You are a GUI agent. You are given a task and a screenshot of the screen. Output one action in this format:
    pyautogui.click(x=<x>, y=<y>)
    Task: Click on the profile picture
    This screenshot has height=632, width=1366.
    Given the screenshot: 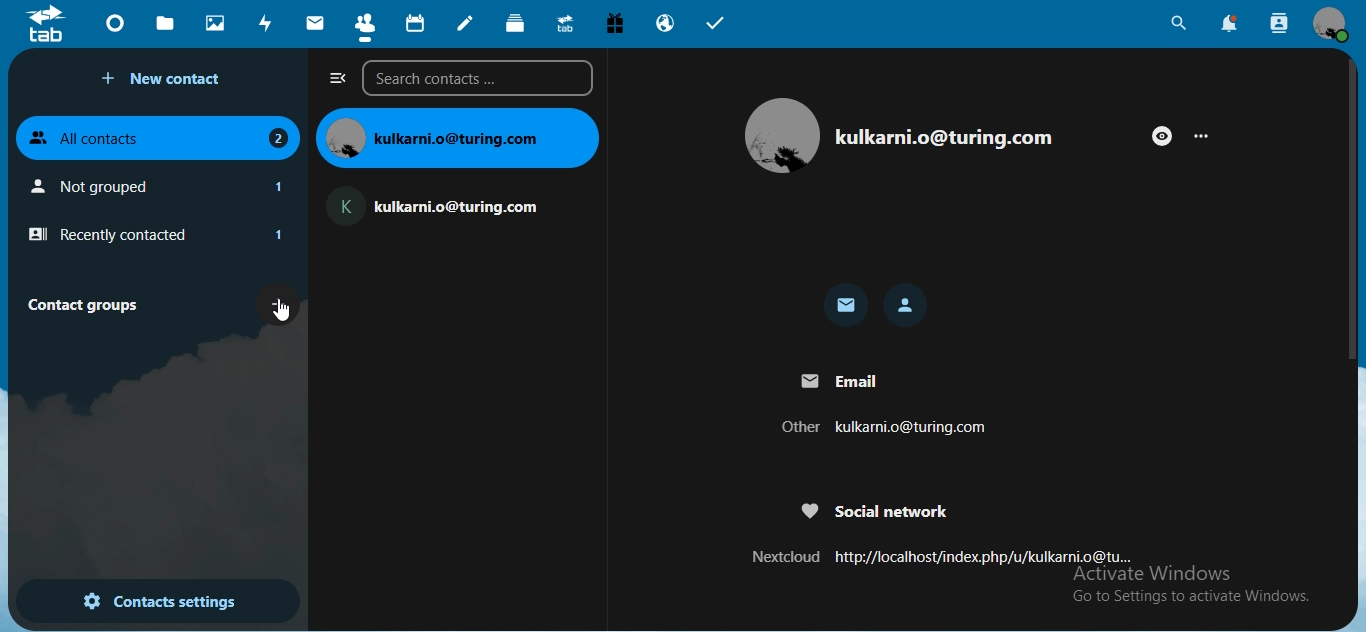 What is the action you would take?
    pyautogui.click(x=783, y=135)
    